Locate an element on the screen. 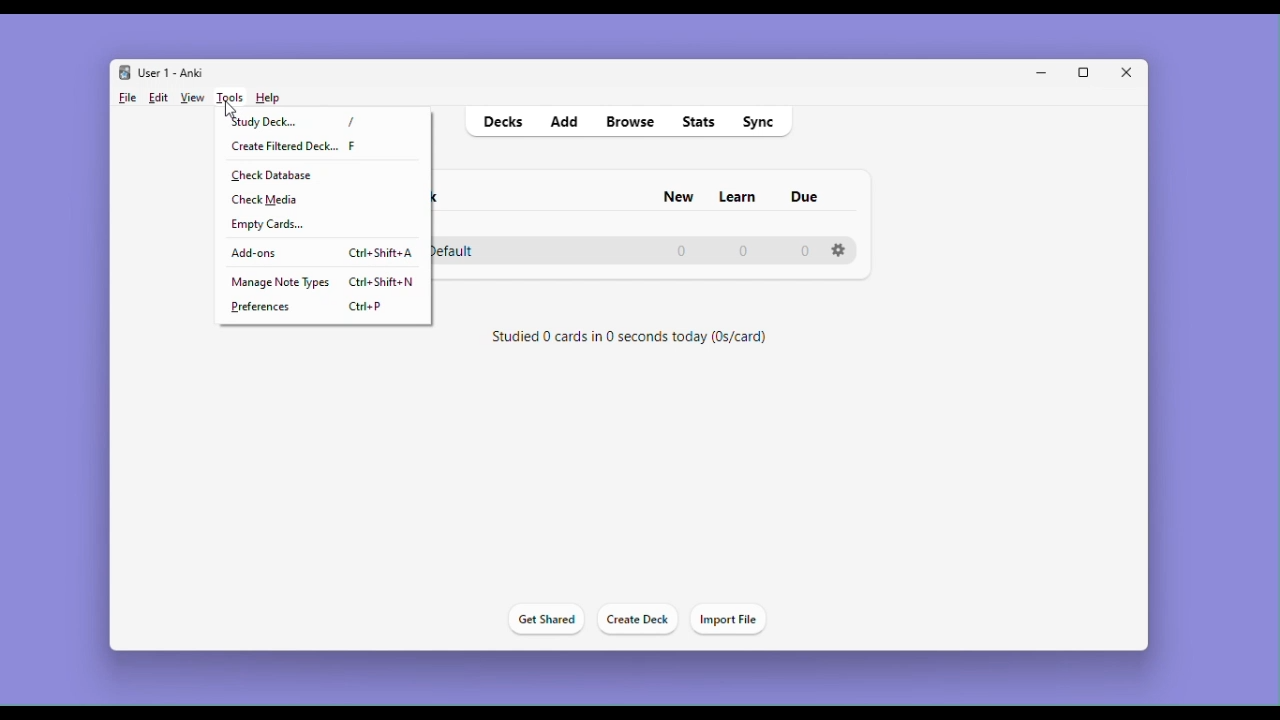 The image size is (1280, 720). Default is located at coordinates (485, 250).